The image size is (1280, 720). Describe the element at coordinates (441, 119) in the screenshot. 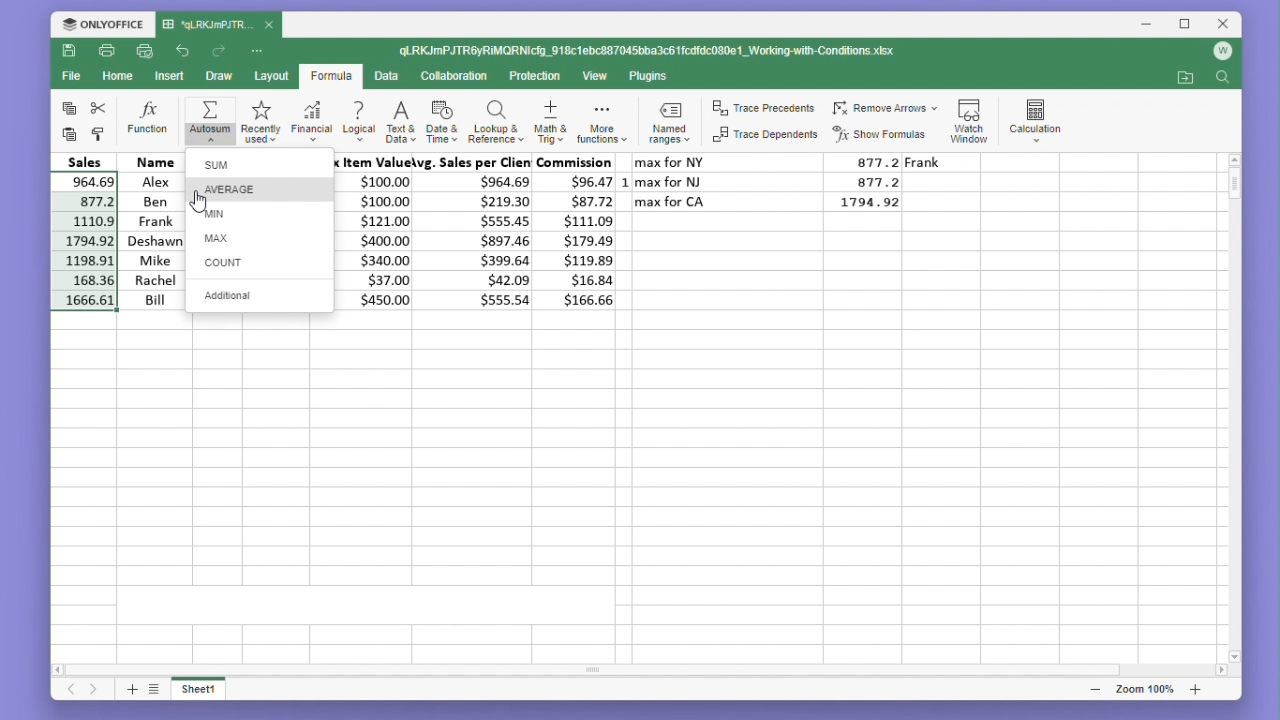

I see `Date and time` at that location.